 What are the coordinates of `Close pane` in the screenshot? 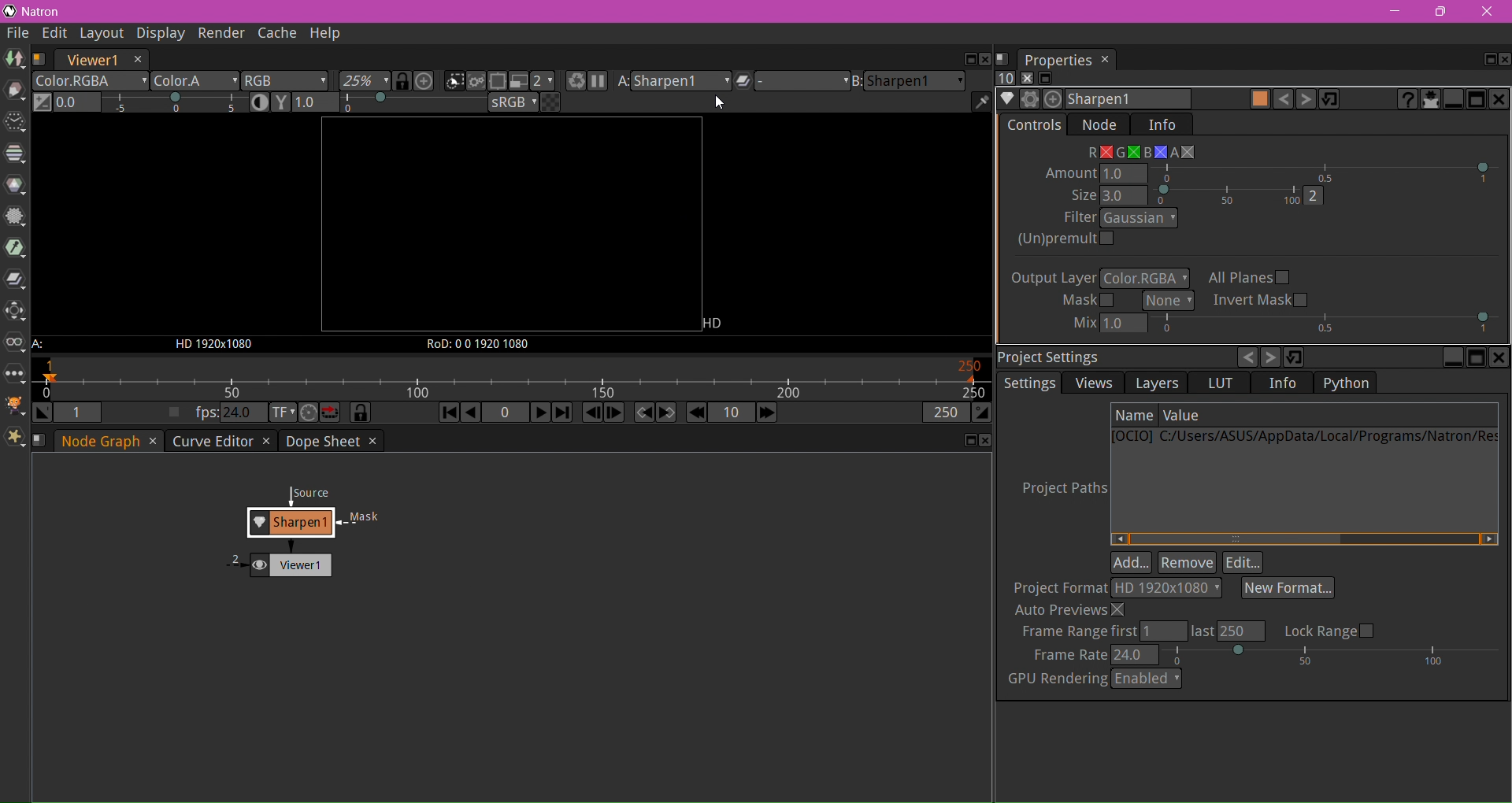 It's located at (1501, 98).